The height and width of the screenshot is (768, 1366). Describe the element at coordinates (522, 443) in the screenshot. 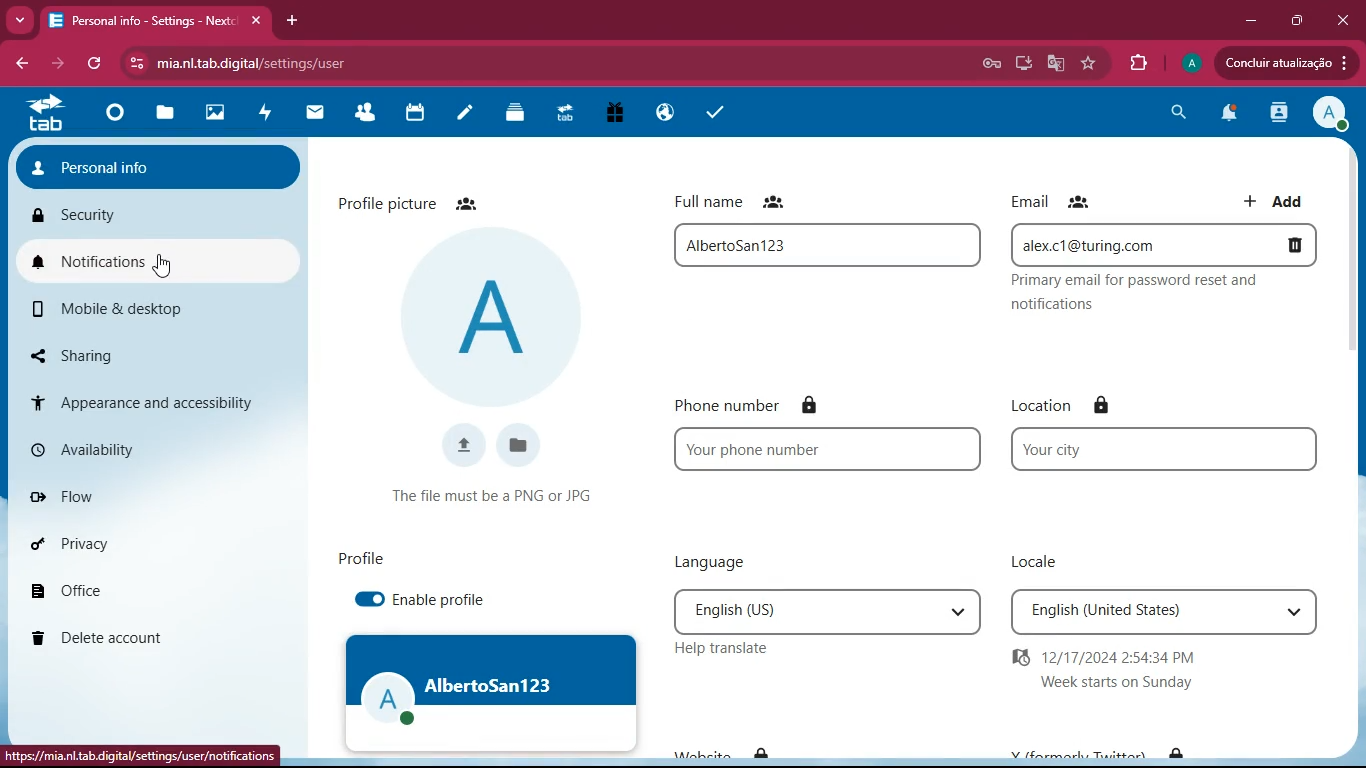

I see `files` at that location.